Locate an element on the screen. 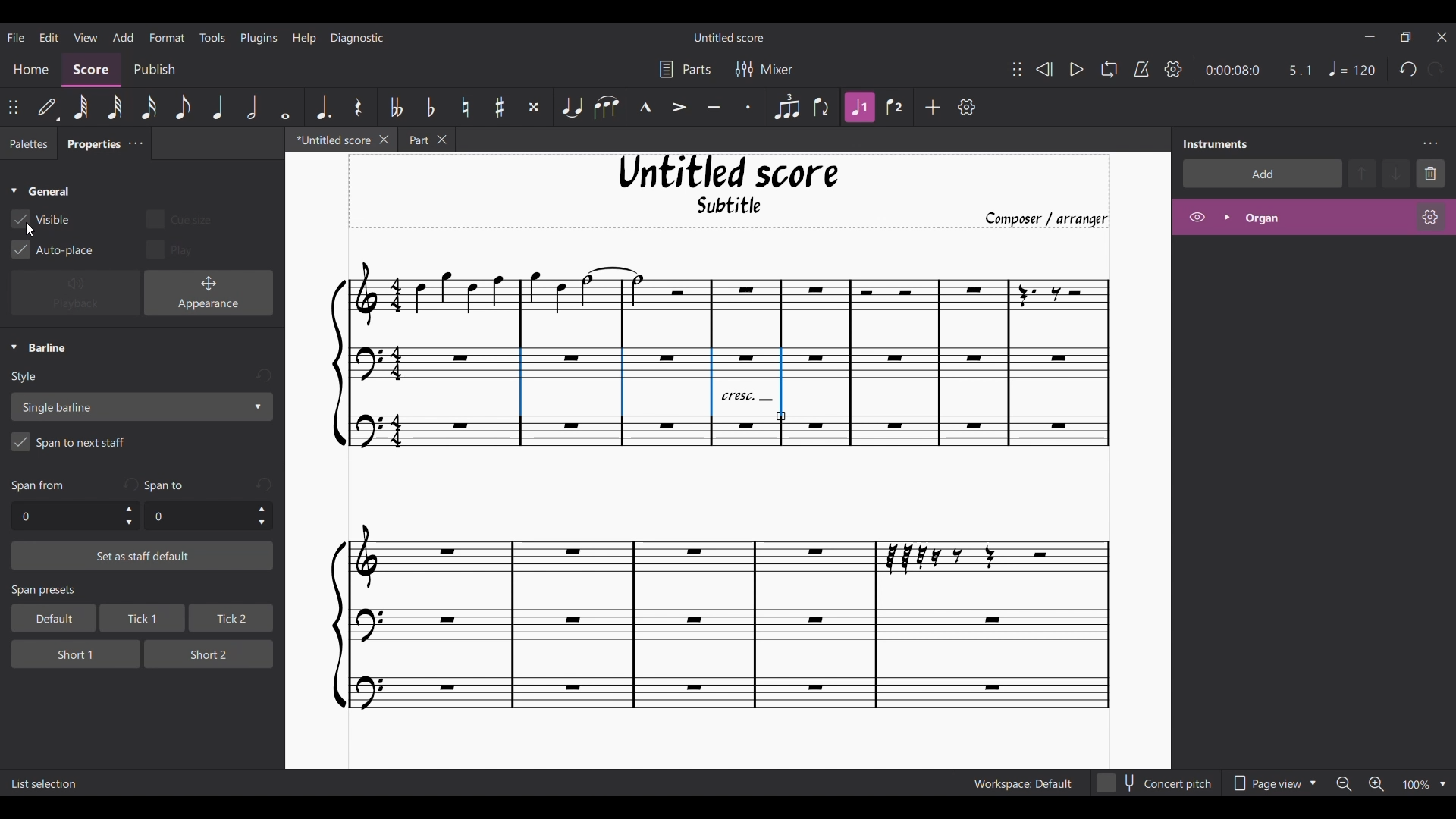  Toggle natural is located at coordinates (465, 107).